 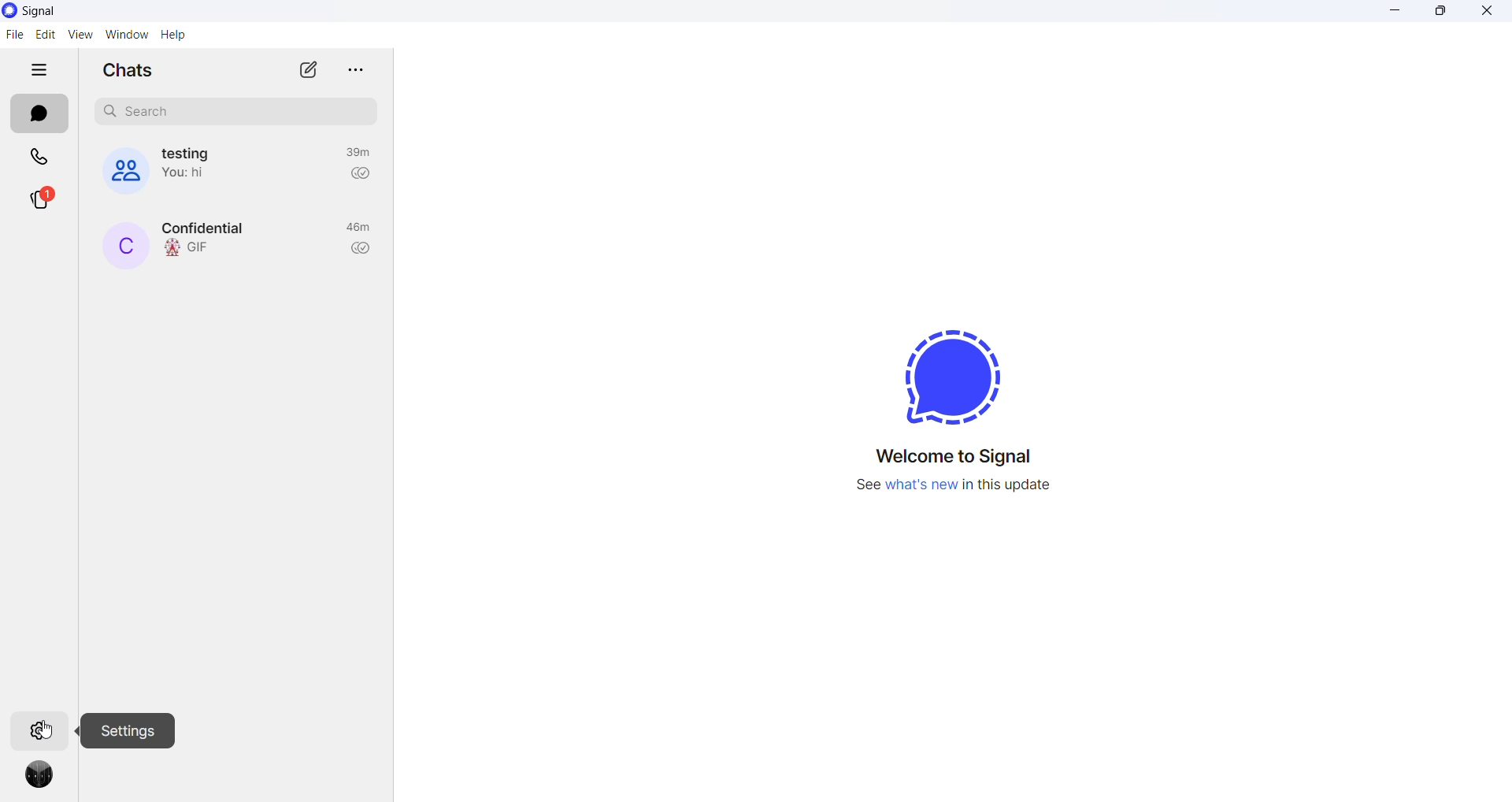 What do you see at coordinates (1486, 16) in the screenshot?
I see `close` at bounding box center [1486, 16].